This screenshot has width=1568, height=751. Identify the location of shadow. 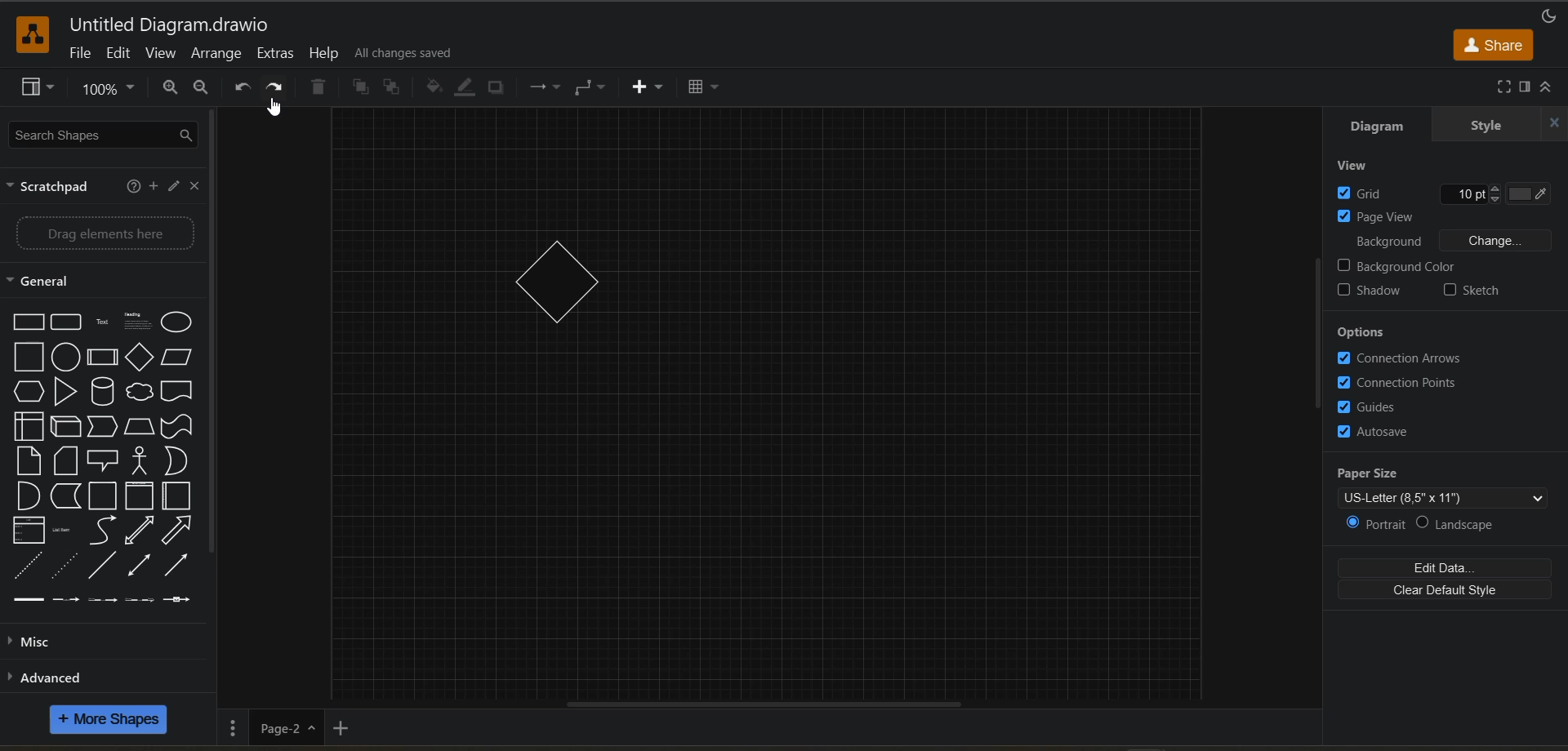
(496, 90).